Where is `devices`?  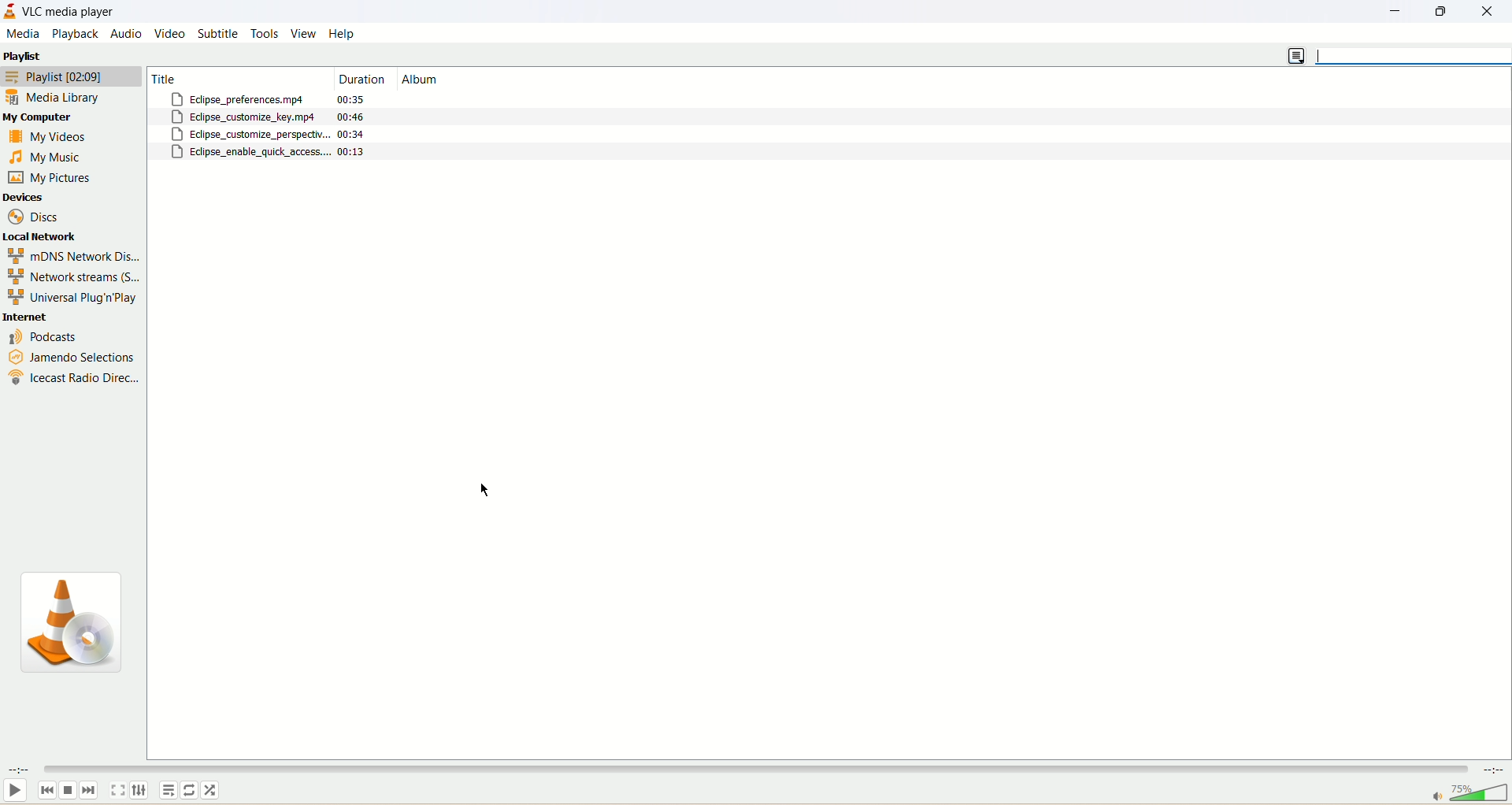 devices is located at coordinates (32, 198).